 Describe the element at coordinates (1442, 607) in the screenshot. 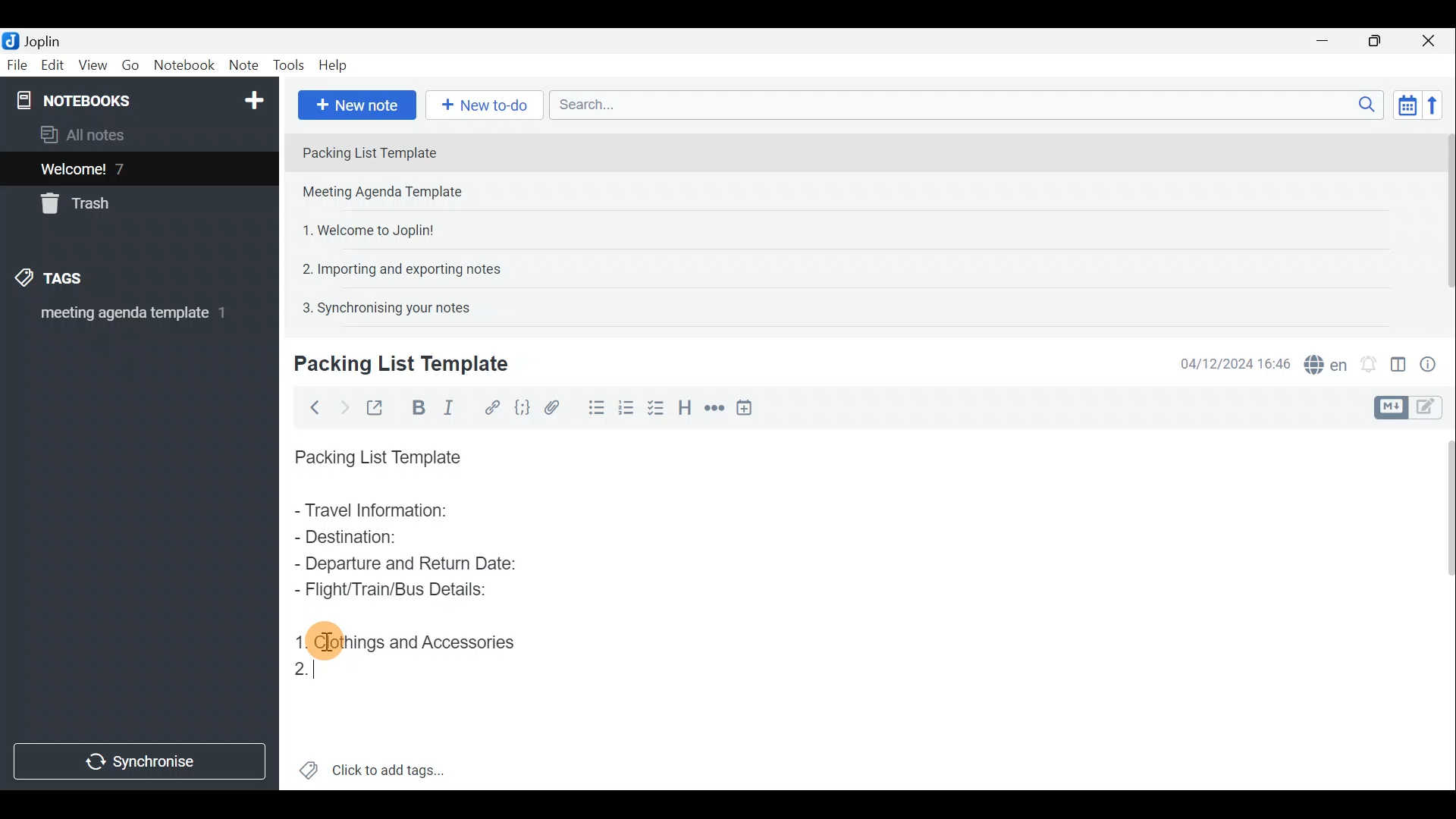

I see `Scroll bar` at that location.